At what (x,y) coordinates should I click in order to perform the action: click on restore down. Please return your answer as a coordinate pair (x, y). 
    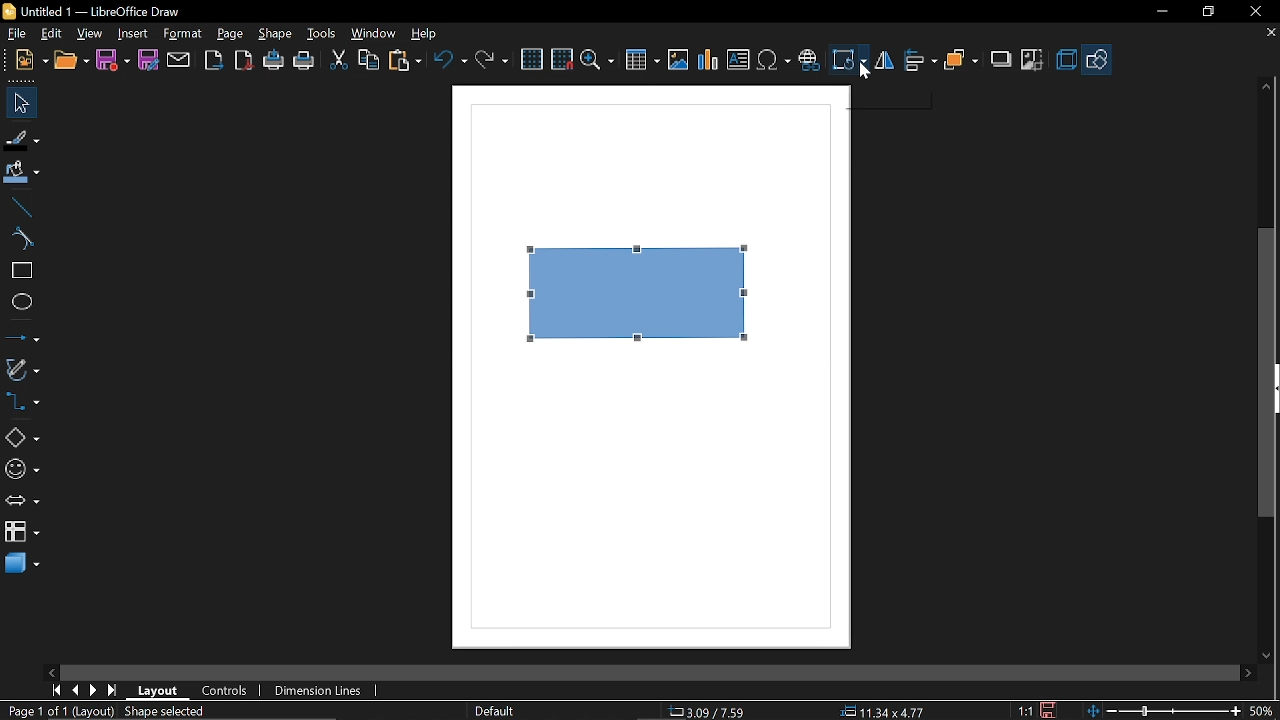
    Looking at the image, I should click on (1208, 12).